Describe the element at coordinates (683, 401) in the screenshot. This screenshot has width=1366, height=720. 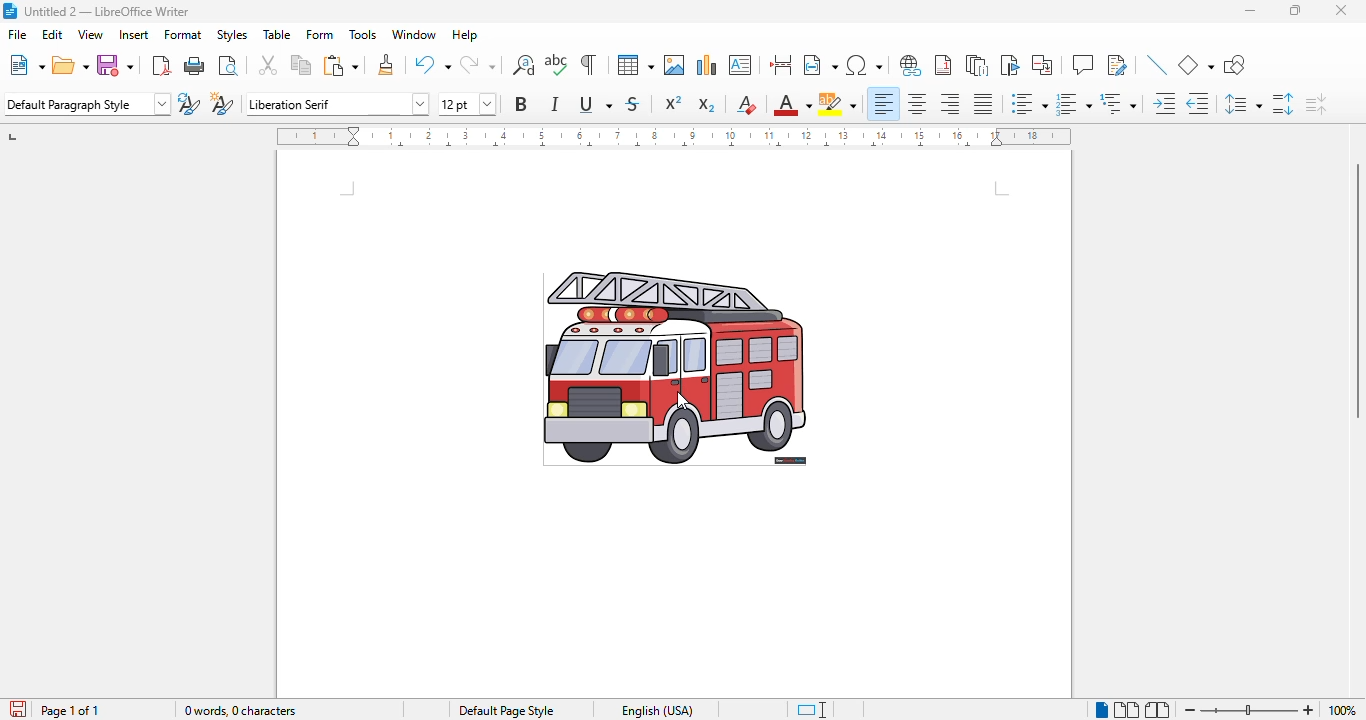
I see `cursor` at that location.